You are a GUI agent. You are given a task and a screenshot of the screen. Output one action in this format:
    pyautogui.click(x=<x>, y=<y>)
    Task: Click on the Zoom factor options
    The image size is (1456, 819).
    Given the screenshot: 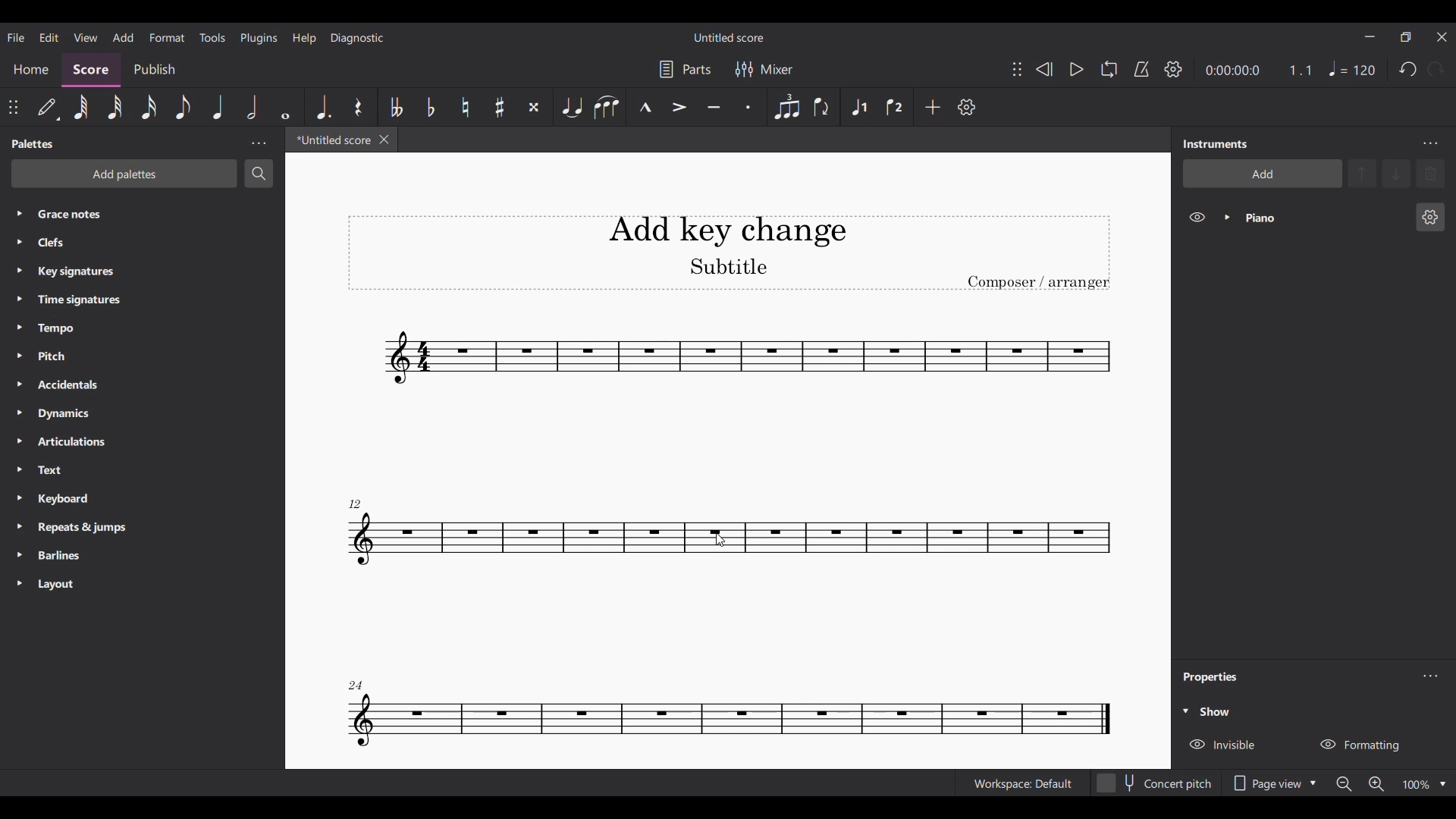 What is the action you would take?
    pyautogui.click(x=1442, y=785)
    